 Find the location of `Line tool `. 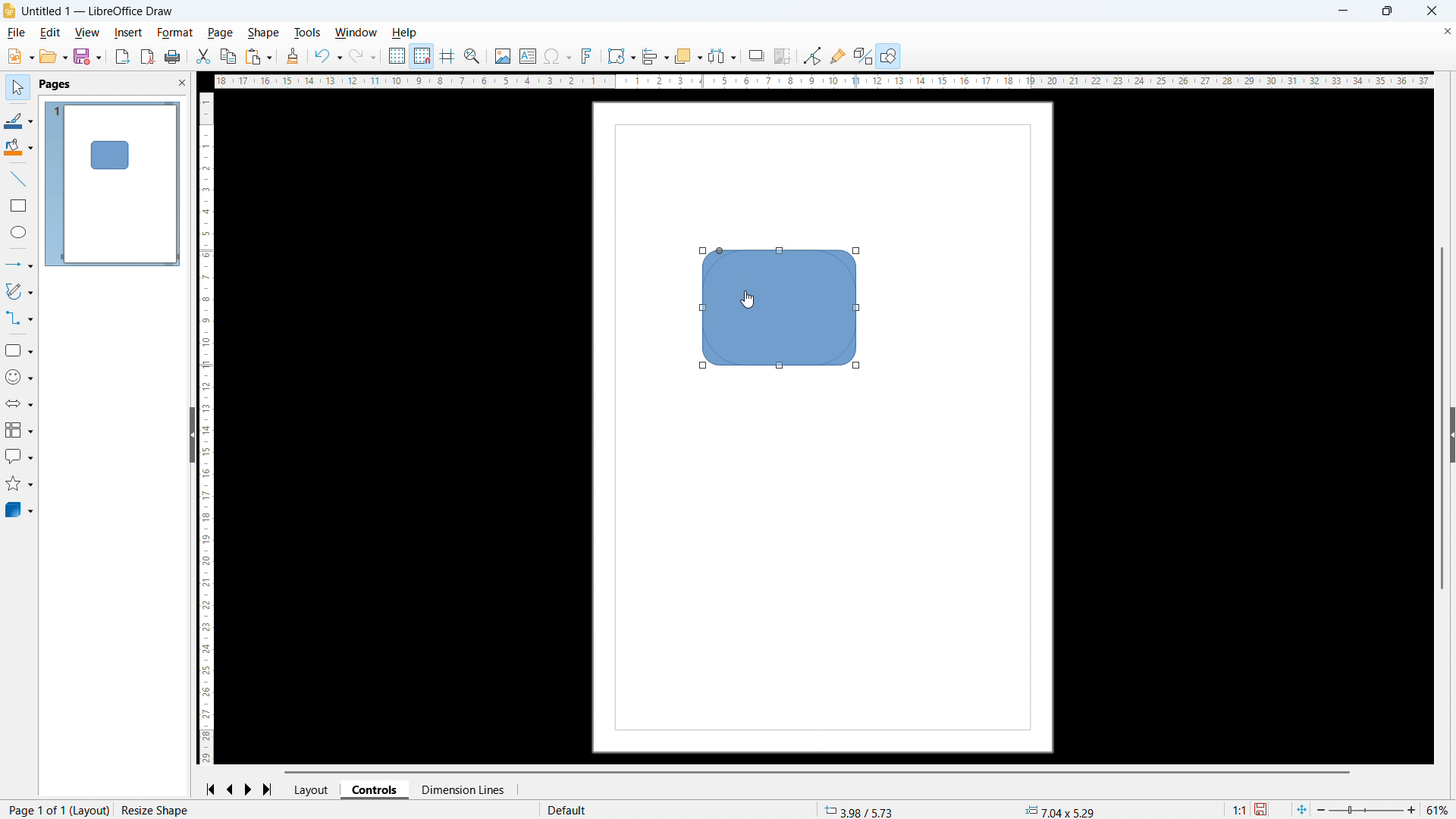

Line tool  is located at coordinates (17, 179).